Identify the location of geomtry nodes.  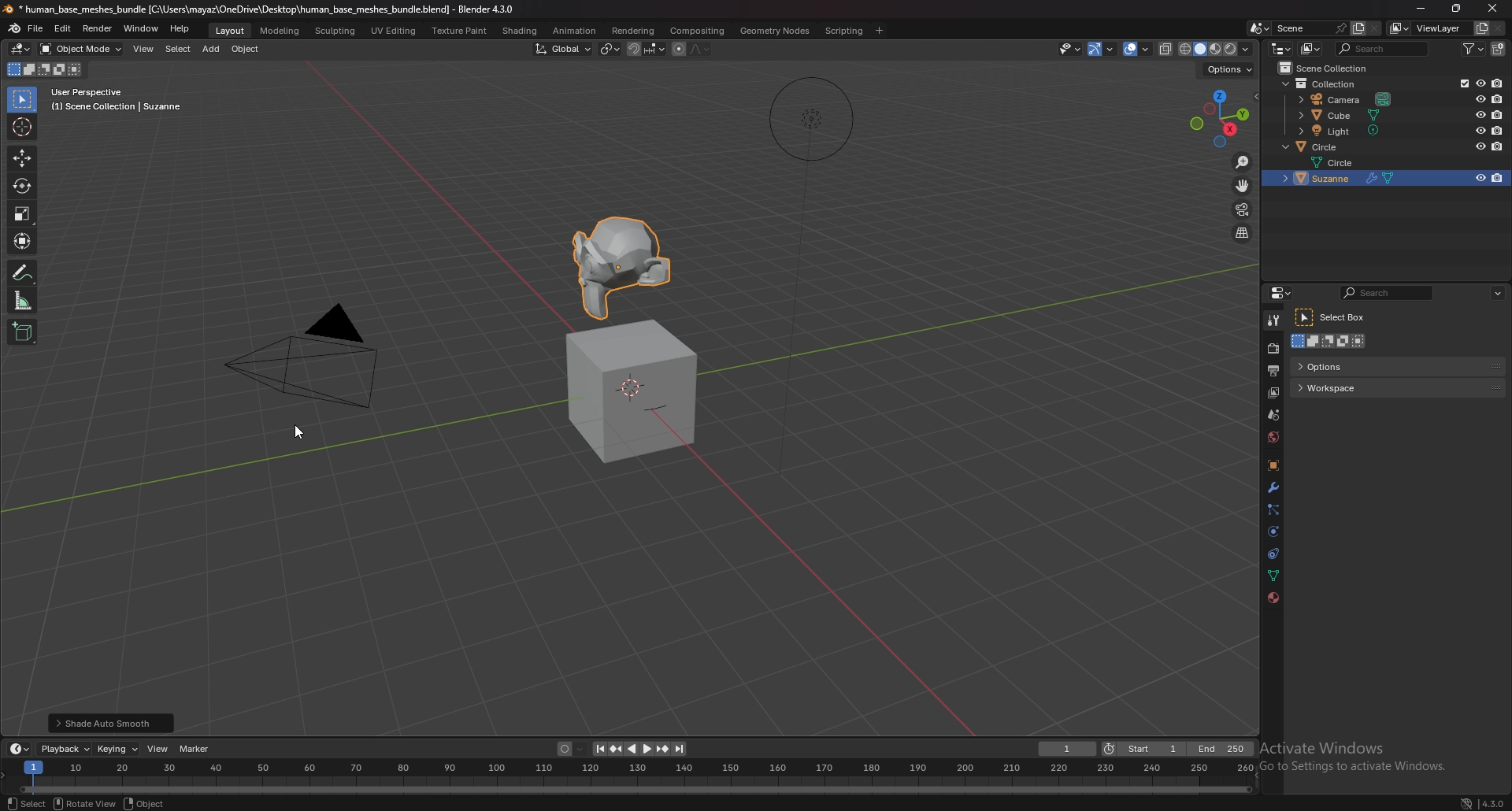
(774, 31).